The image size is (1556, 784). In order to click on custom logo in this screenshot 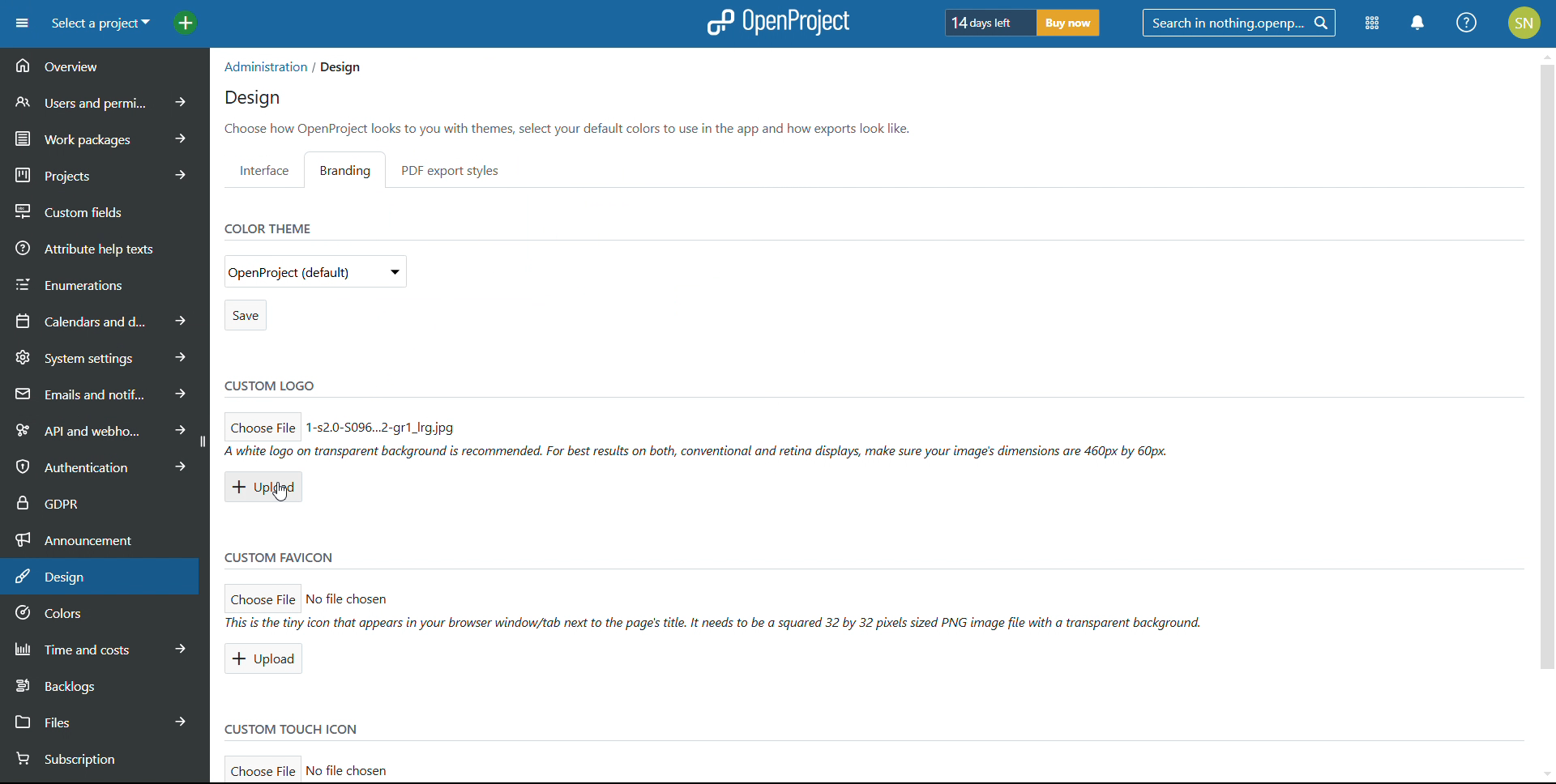, I will do `click(270, 384)`.